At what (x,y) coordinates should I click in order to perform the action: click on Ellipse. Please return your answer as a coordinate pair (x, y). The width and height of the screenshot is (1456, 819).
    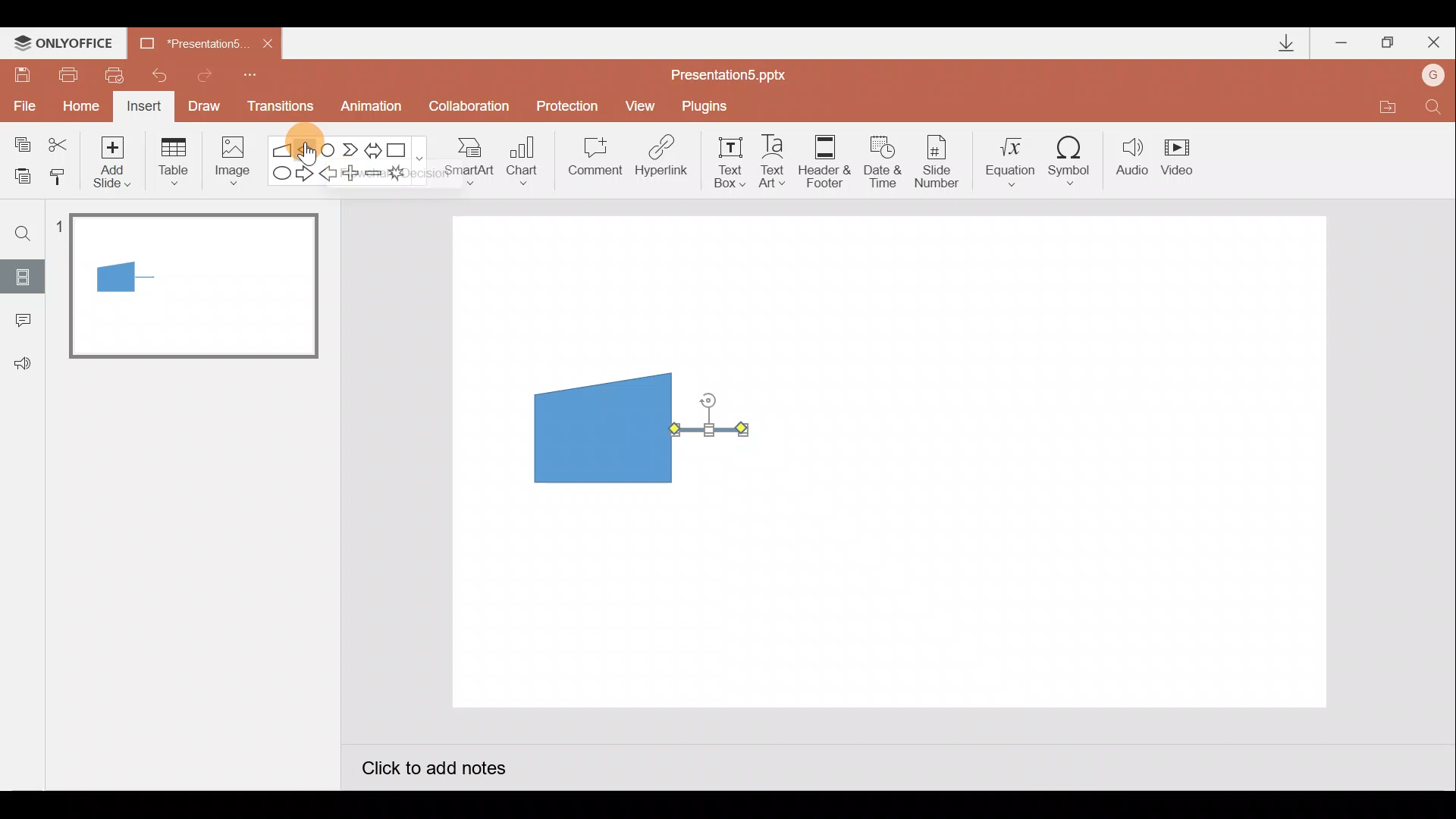
    Looking at the image, I should click on (278, 174).